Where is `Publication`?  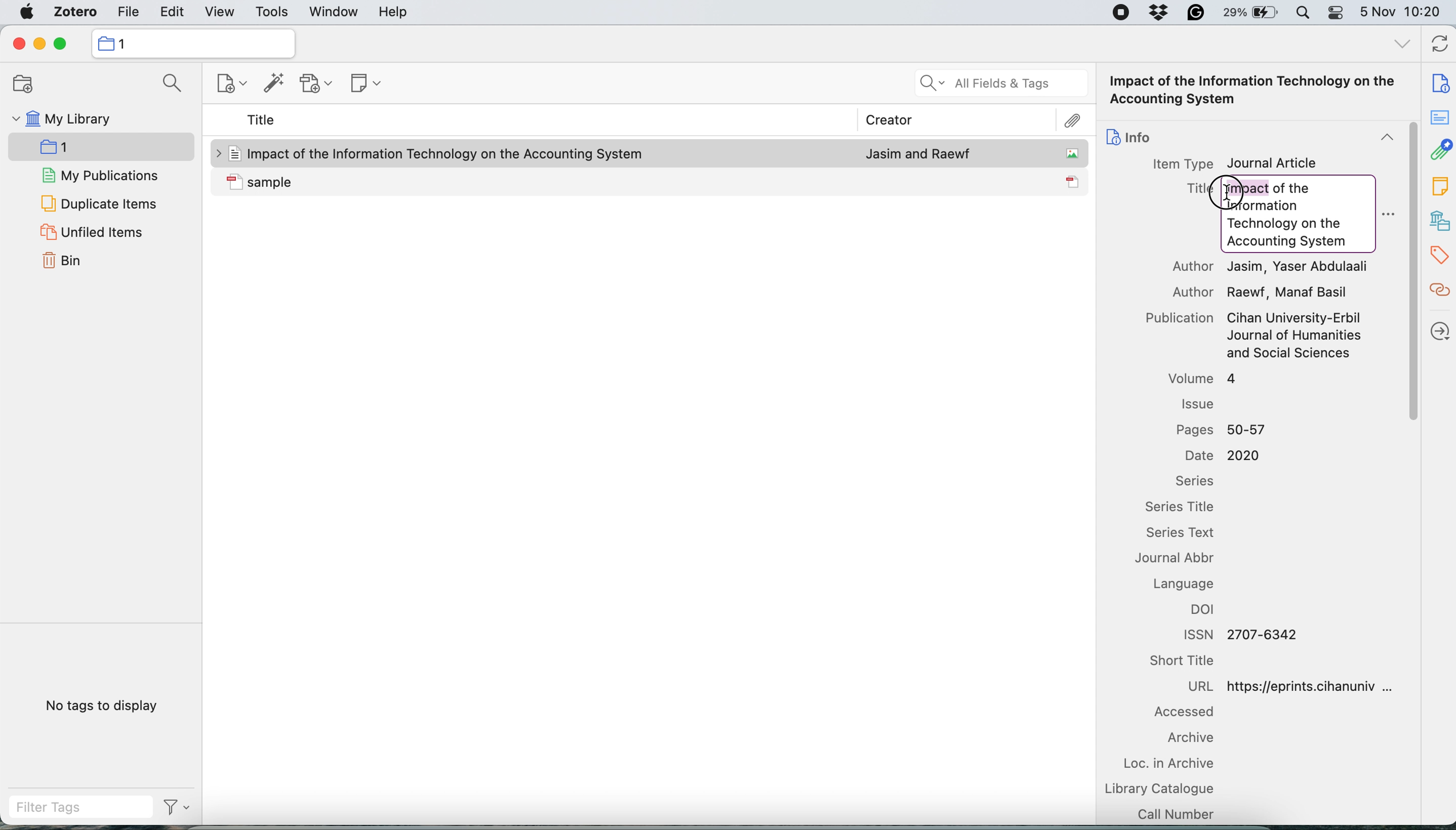
Publication is located at coordinates (1181, 318).